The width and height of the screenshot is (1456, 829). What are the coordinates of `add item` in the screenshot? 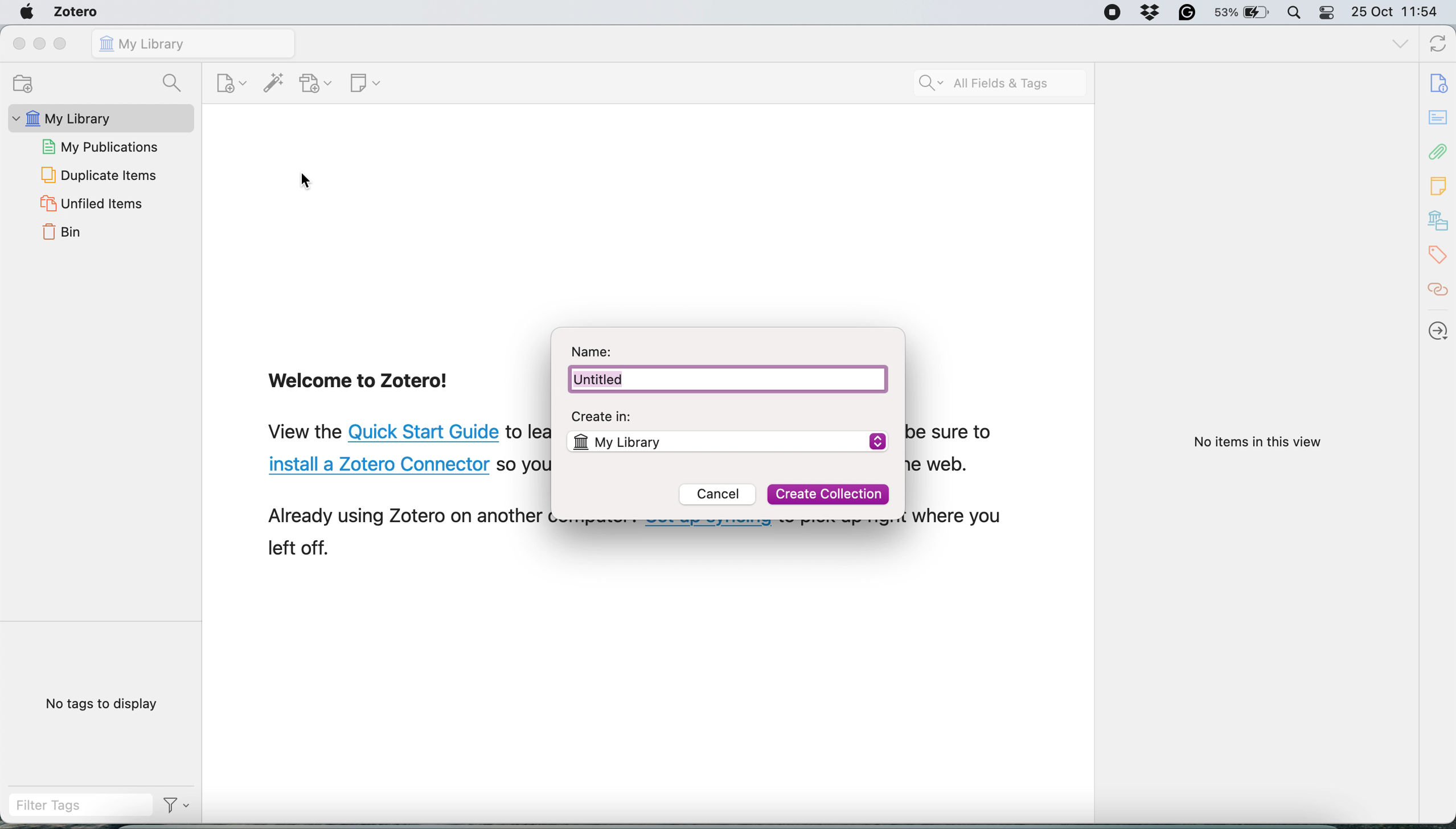 It's located at (272, 83).